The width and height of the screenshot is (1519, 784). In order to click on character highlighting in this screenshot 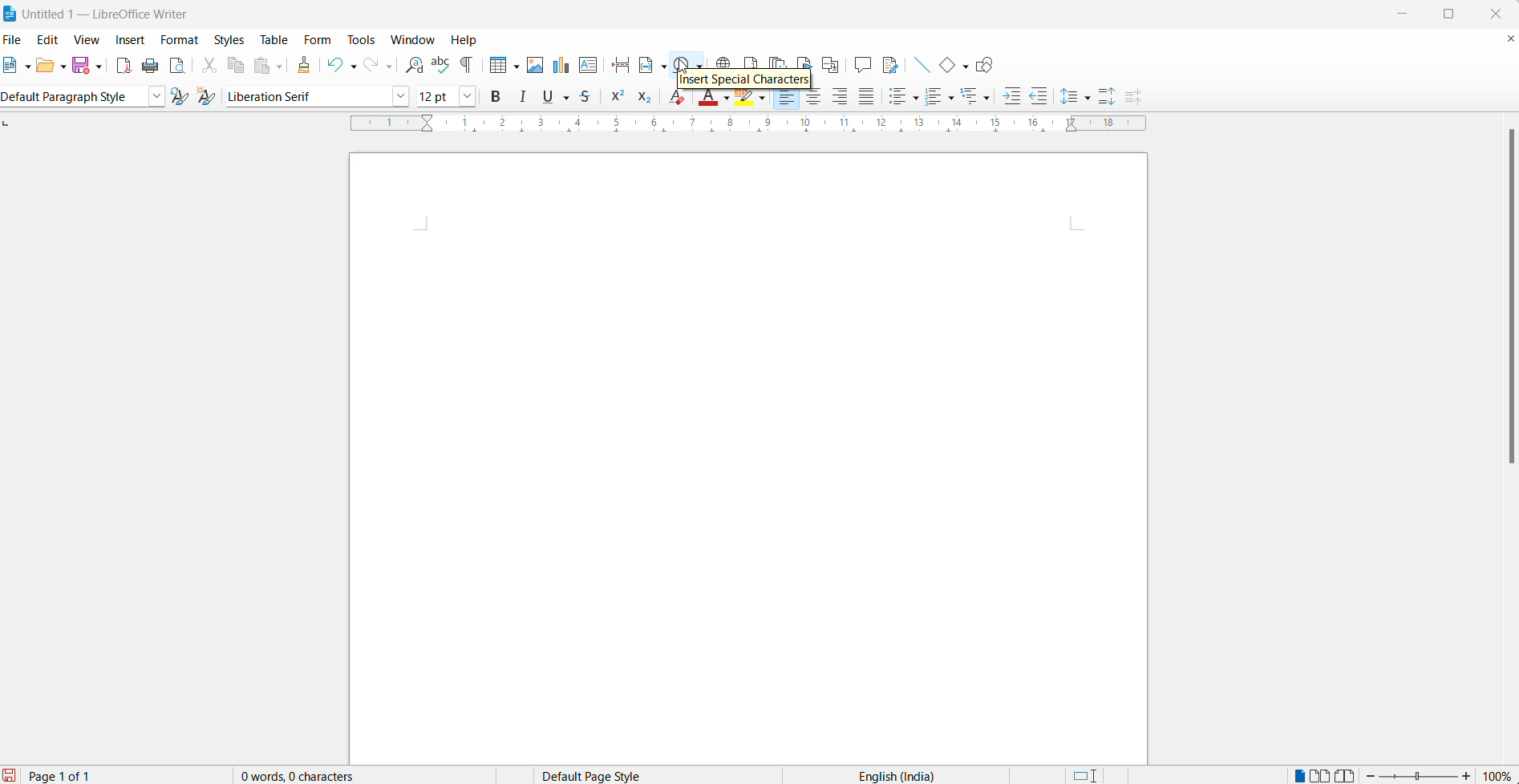, I will do `click(763, 99)`.